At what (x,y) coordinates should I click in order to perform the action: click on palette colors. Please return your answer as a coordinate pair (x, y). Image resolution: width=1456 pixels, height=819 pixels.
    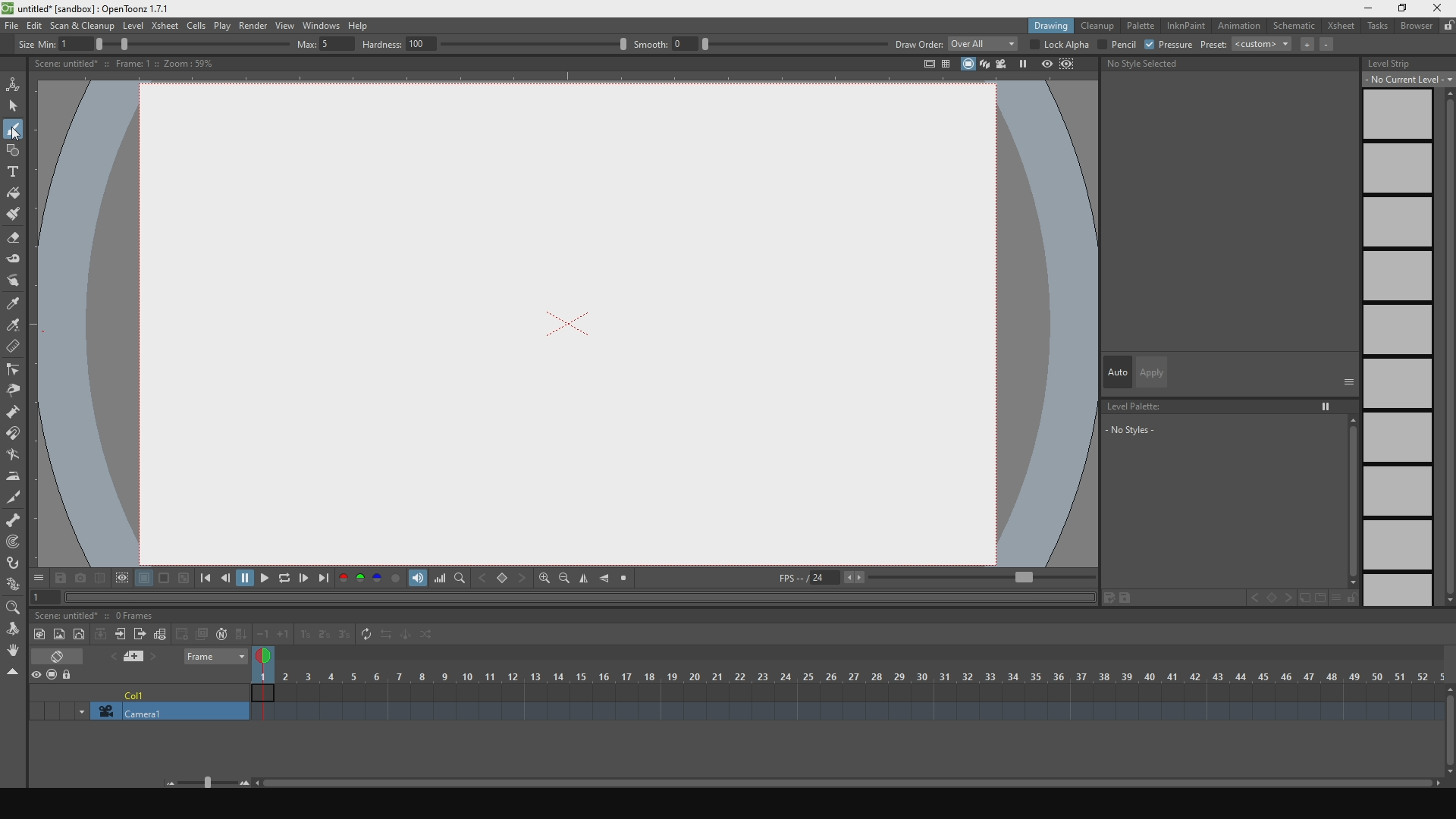
    Looking at the image, I should click on (369, 581).